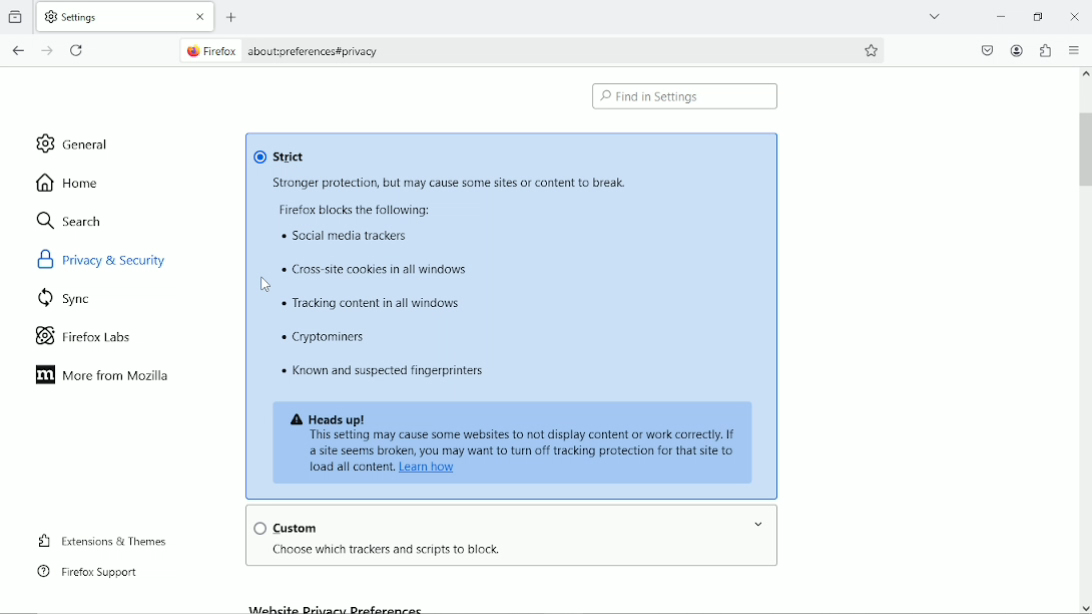  What do you see at coordinates (260, 157) in the screenshot?
I see `Checkbox` at bounding box center [260, 157].